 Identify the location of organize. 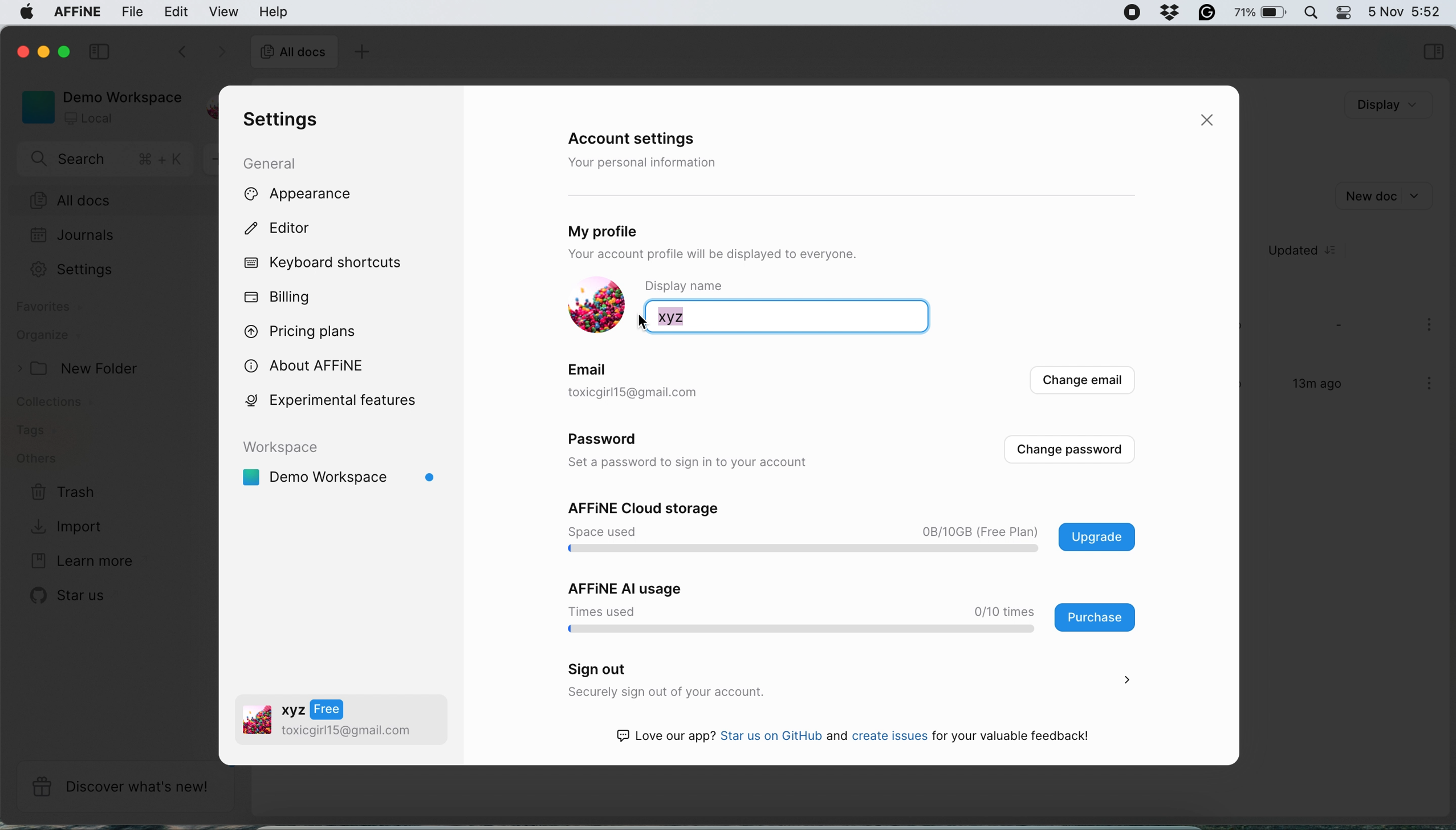
(48, 337).